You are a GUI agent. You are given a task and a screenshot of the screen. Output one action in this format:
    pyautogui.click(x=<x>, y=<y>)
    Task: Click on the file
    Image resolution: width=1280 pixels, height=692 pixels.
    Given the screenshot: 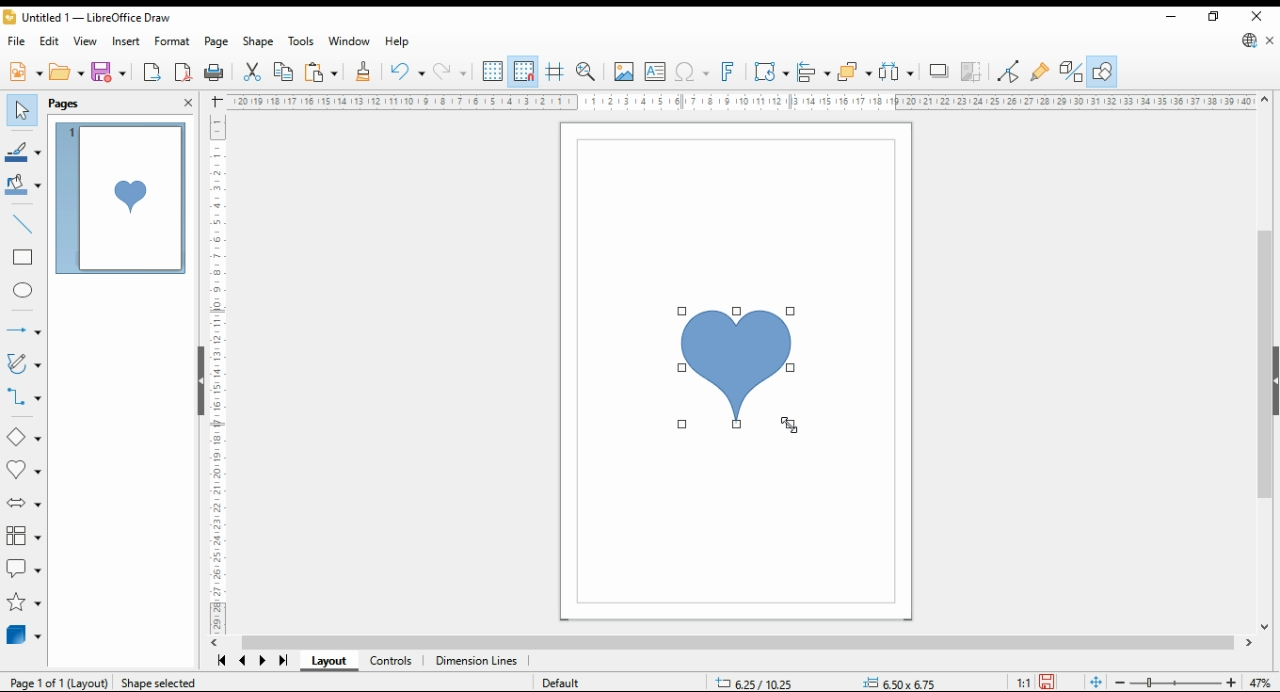 What is the action you would take?
    pyautogui.click(x=15, y=42)
    